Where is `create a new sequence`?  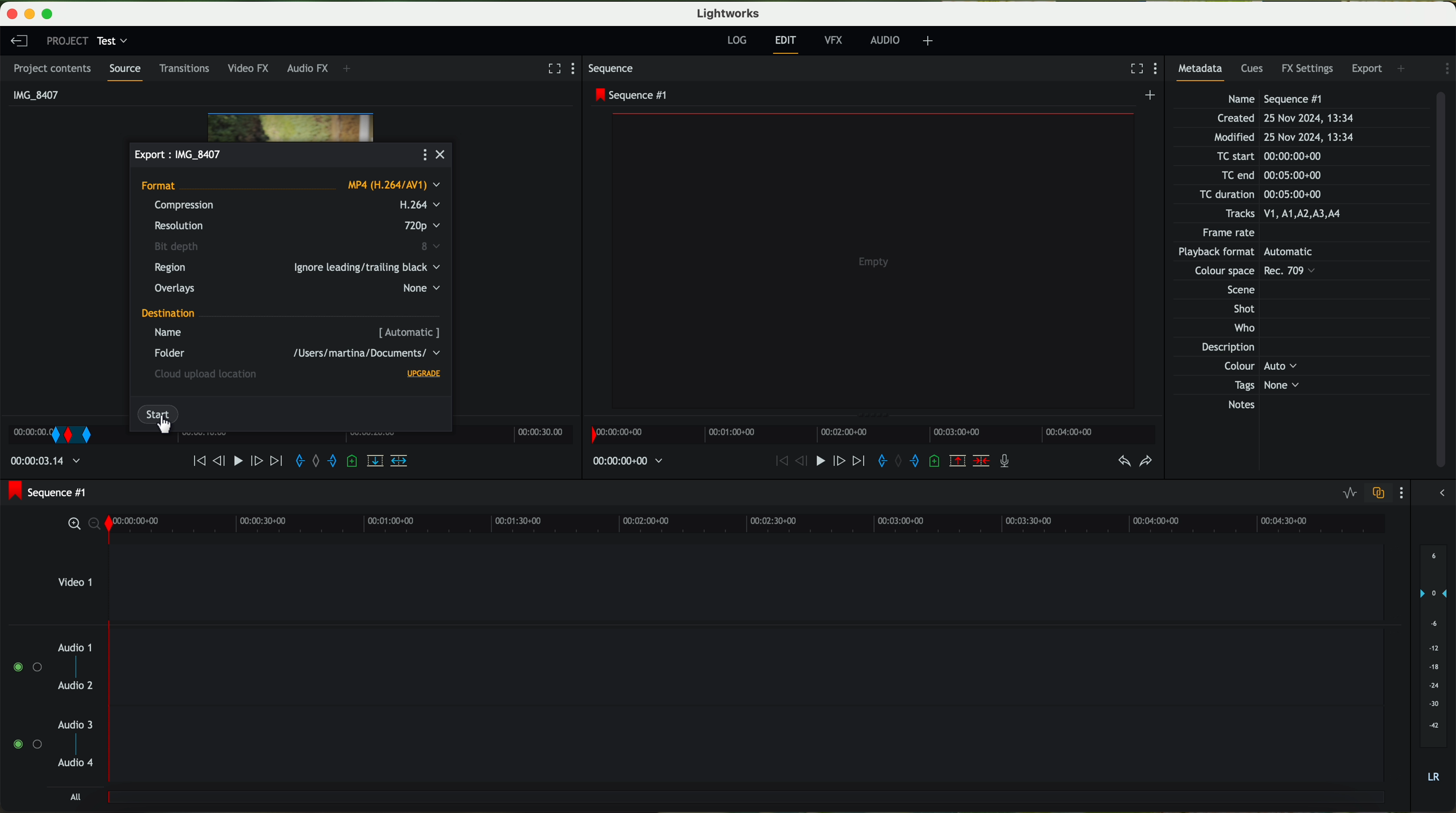 create a new sequence is located at coordinates (1151, 97).